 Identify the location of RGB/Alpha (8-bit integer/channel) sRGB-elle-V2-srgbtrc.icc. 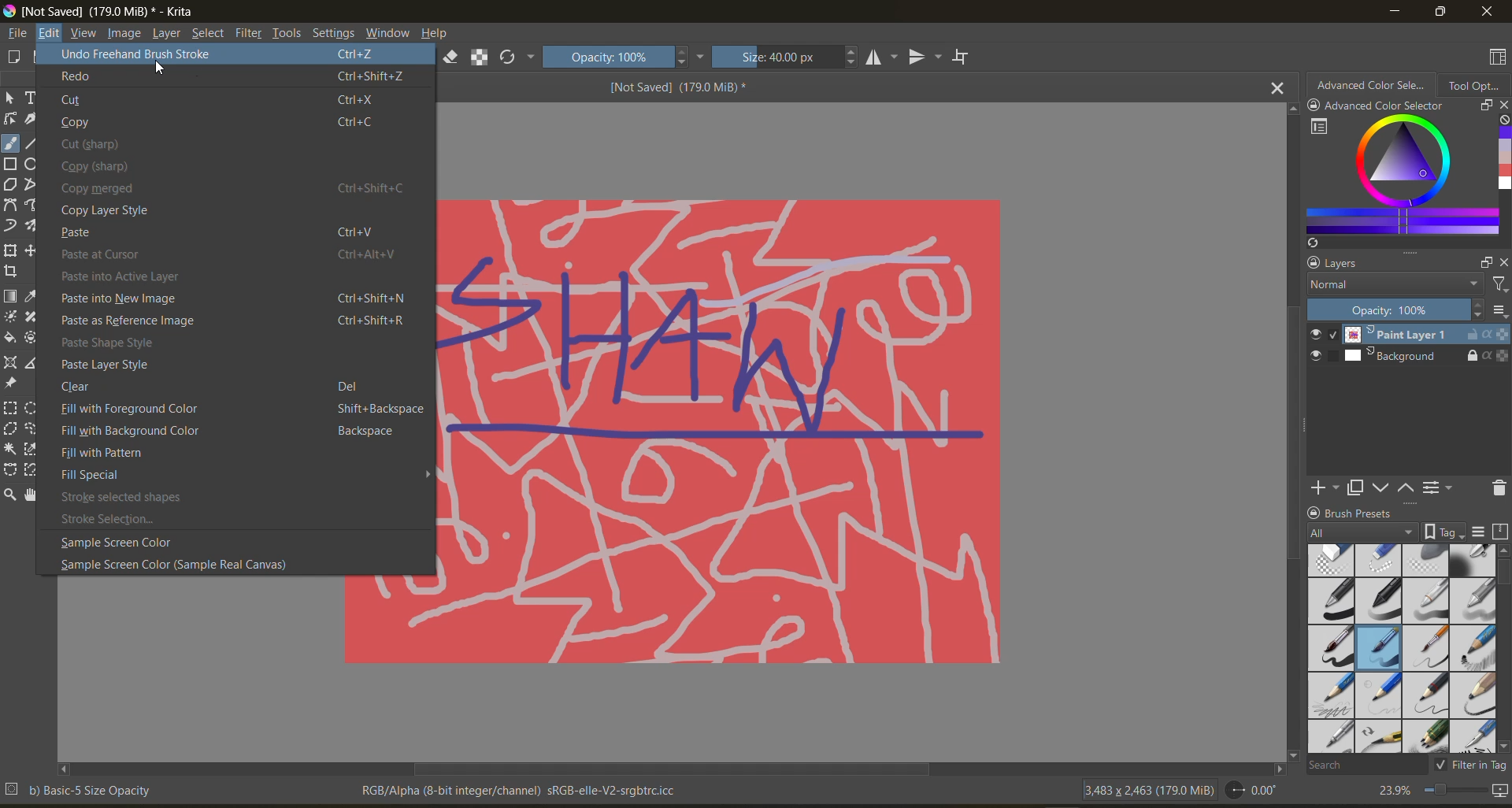
(521, 790).